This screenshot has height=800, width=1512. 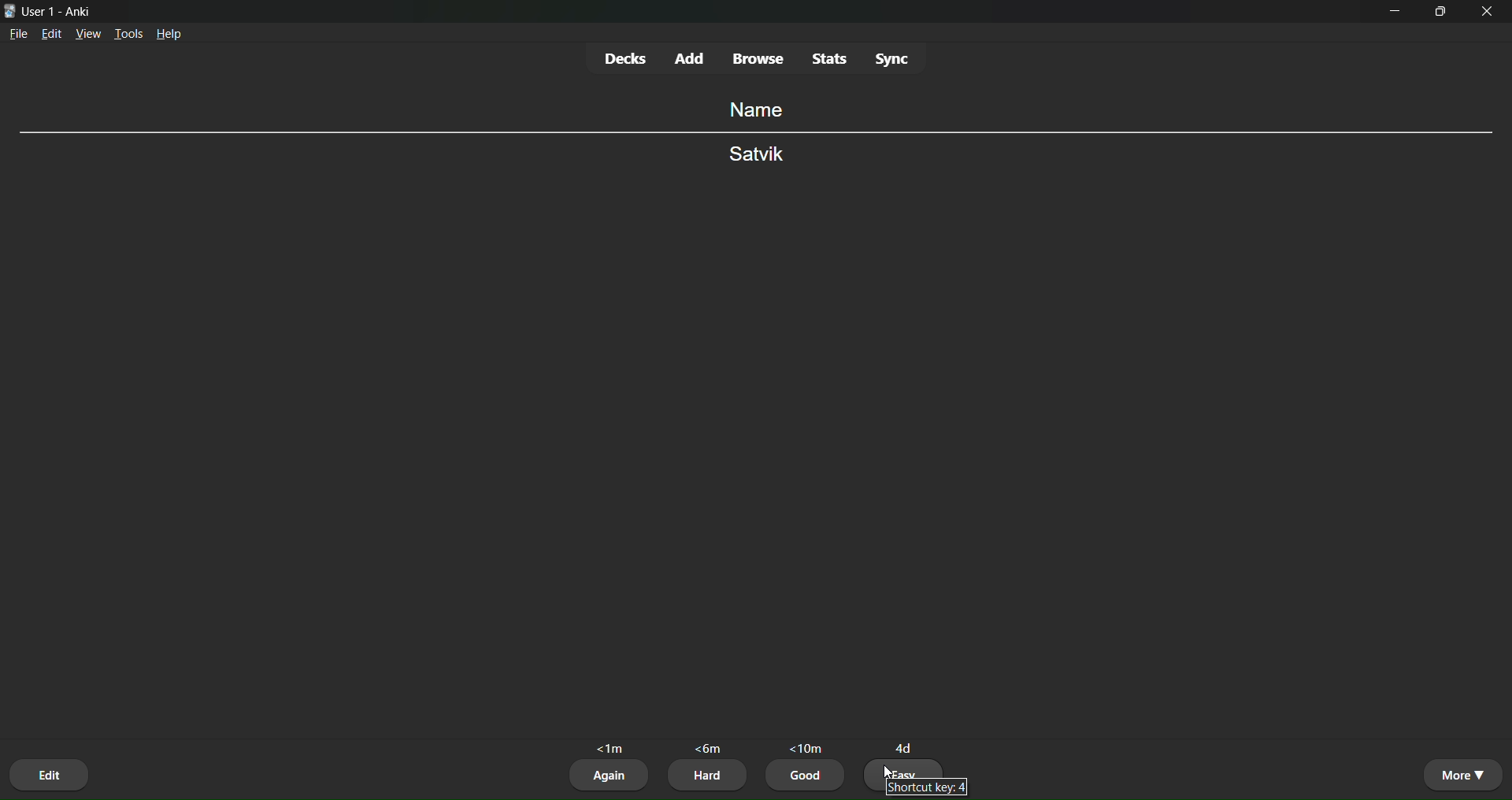 I want to click on browse, so click(x=759, y=60).